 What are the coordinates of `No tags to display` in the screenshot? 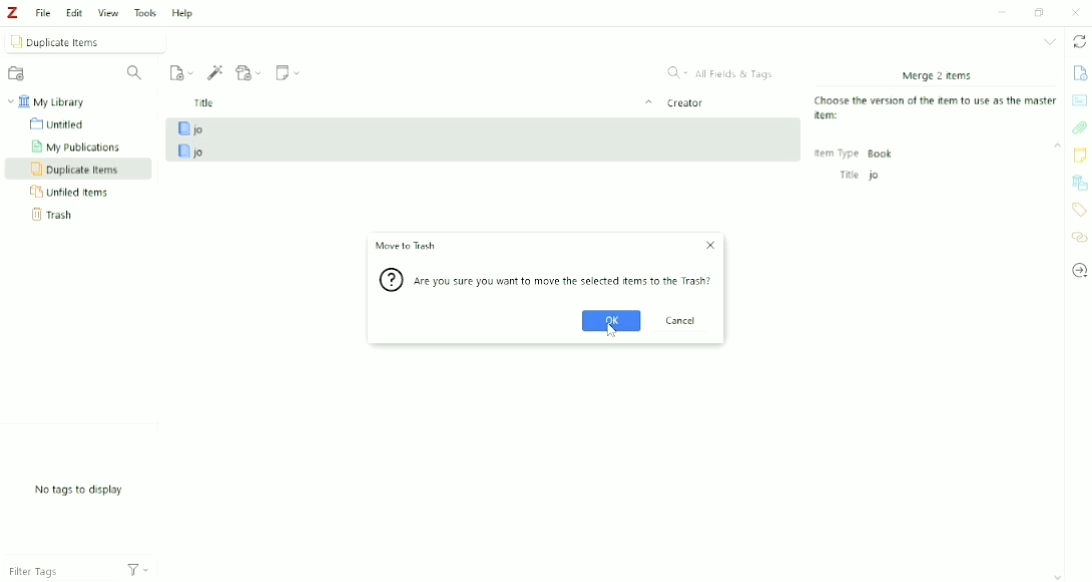 It's located at (78, 491).